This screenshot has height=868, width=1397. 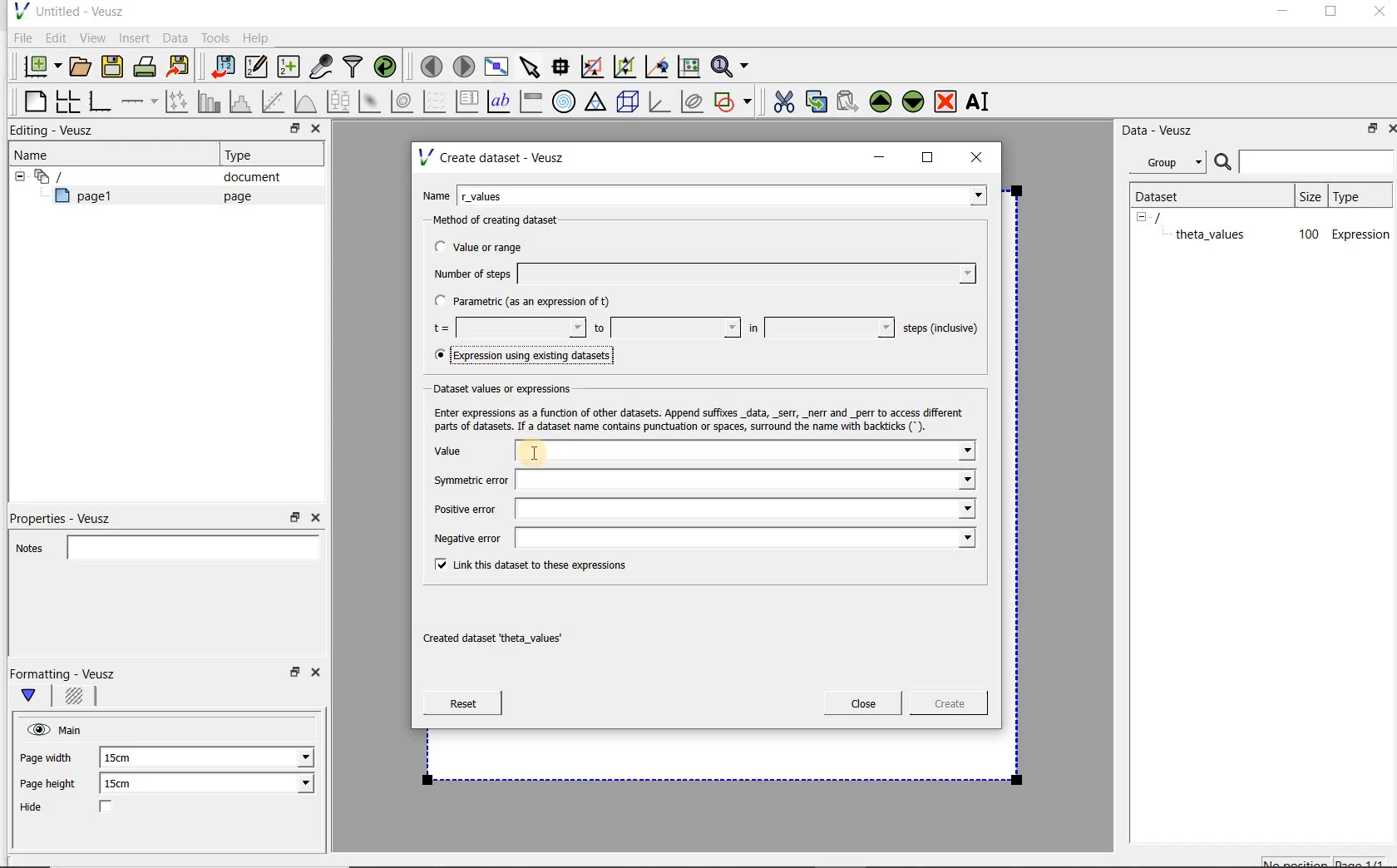 What do you see at coordinates (36, 697) in the screenshot?
I see `Main formatting` at bounding box center [36, 697].